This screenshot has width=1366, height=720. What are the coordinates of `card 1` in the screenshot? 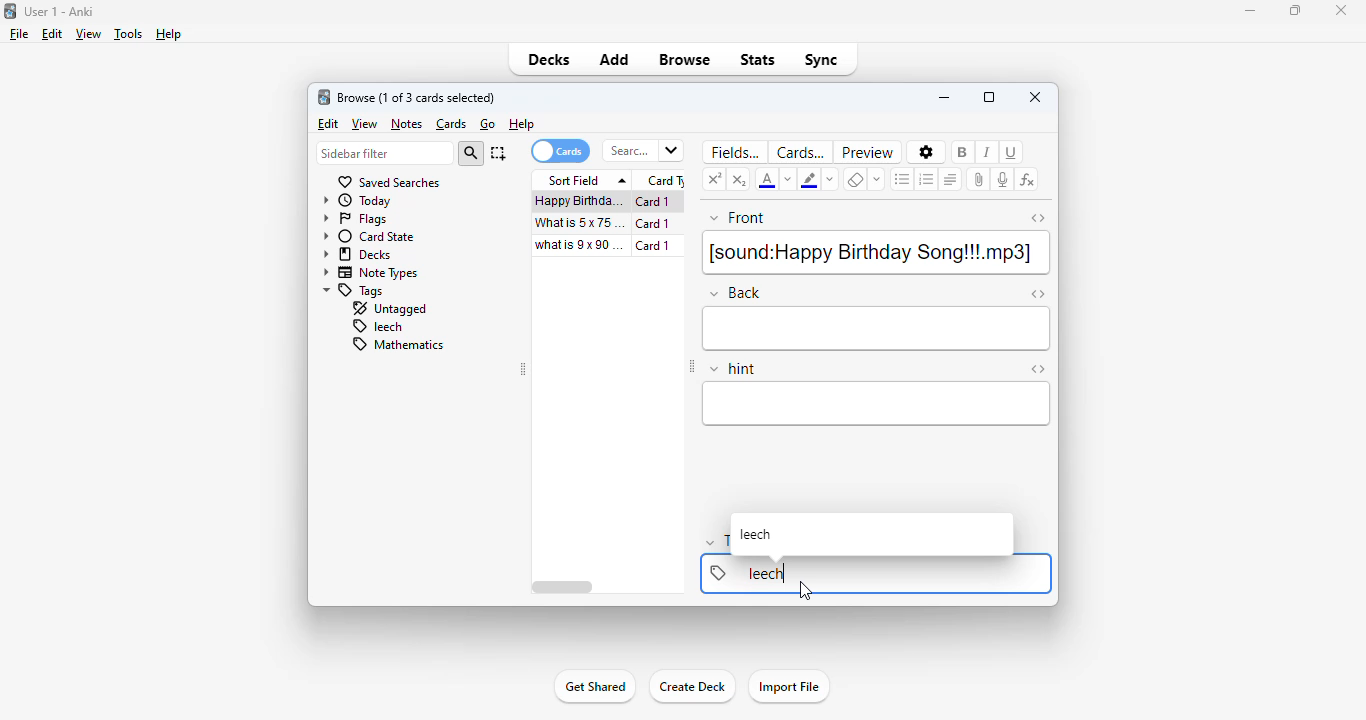 It's located at (658, 246).